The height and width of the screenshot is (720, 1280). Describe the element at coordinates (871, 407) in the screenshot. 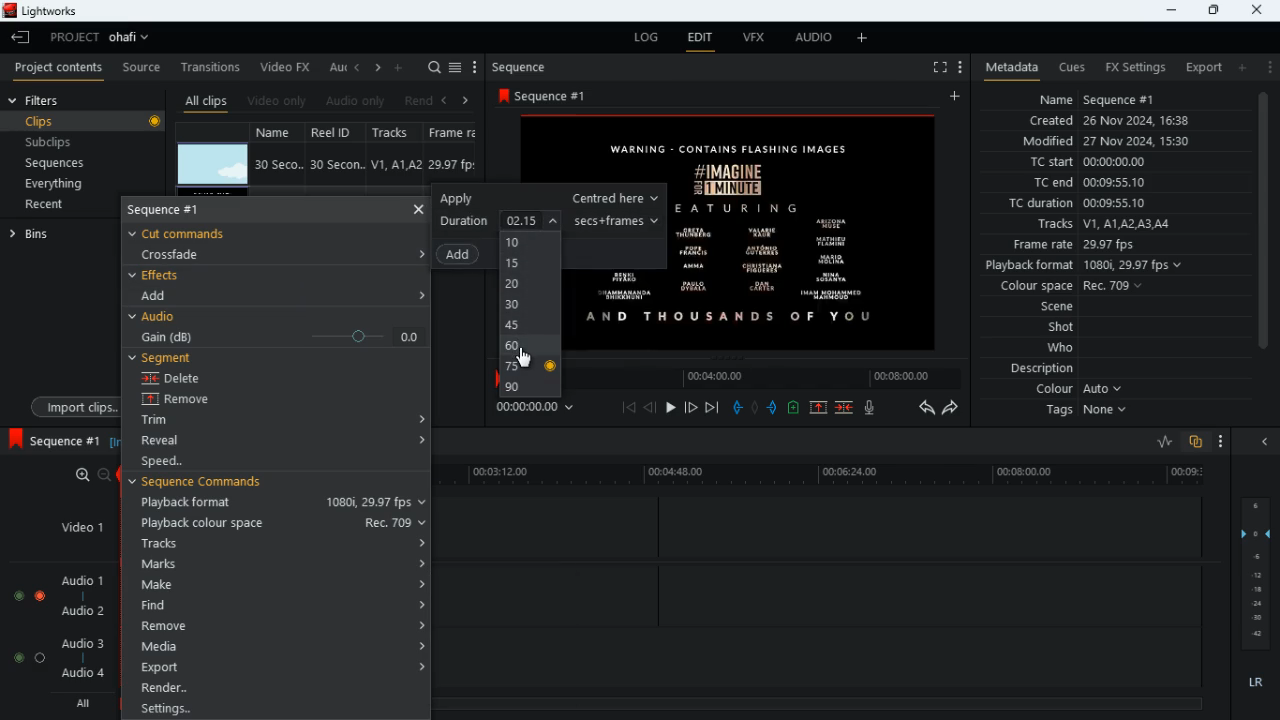

I see `mic` at that location.